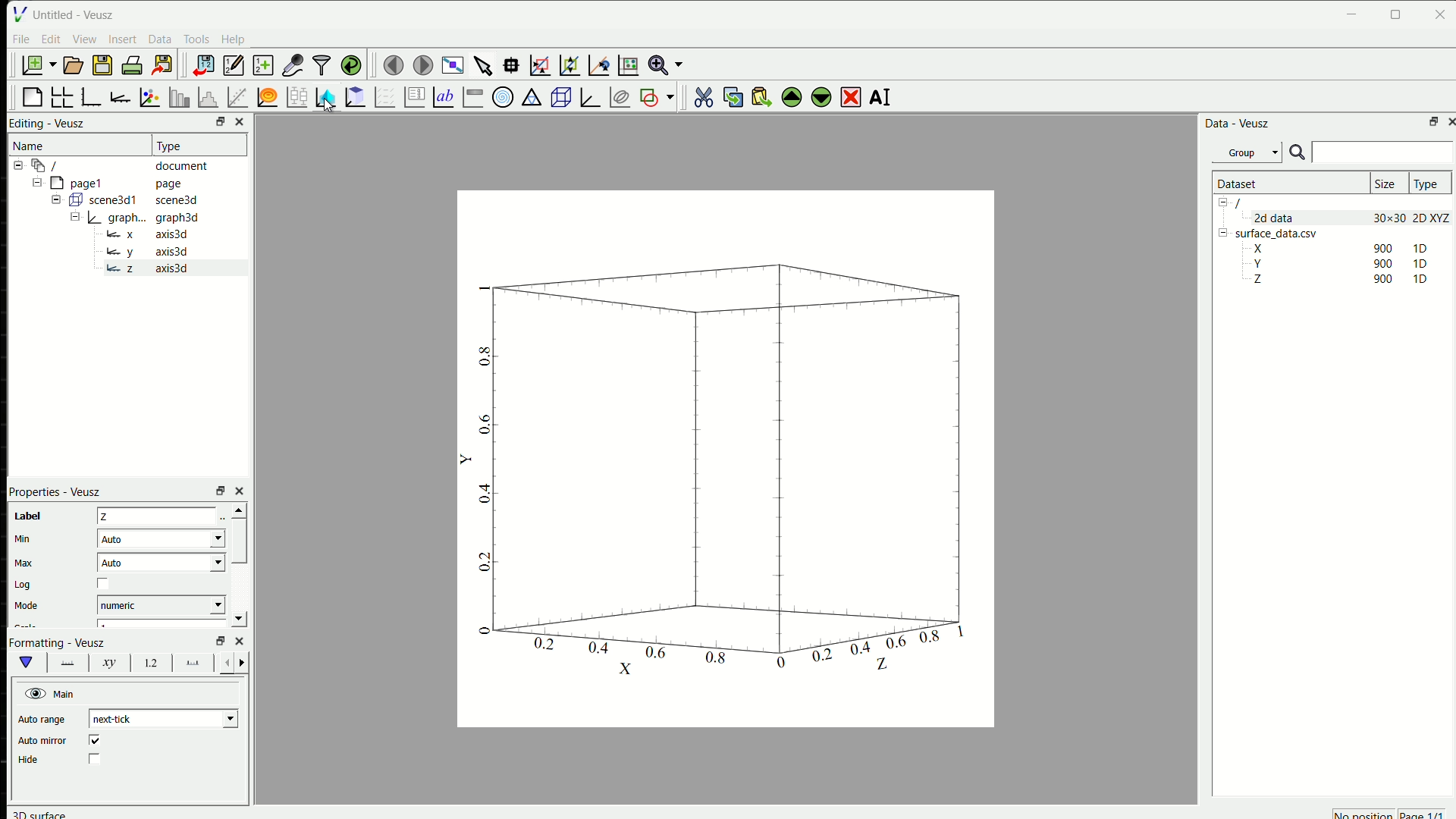  Describe the element at coordinates (422, 65) in the screenshot. I see `move to the next page` at that location.